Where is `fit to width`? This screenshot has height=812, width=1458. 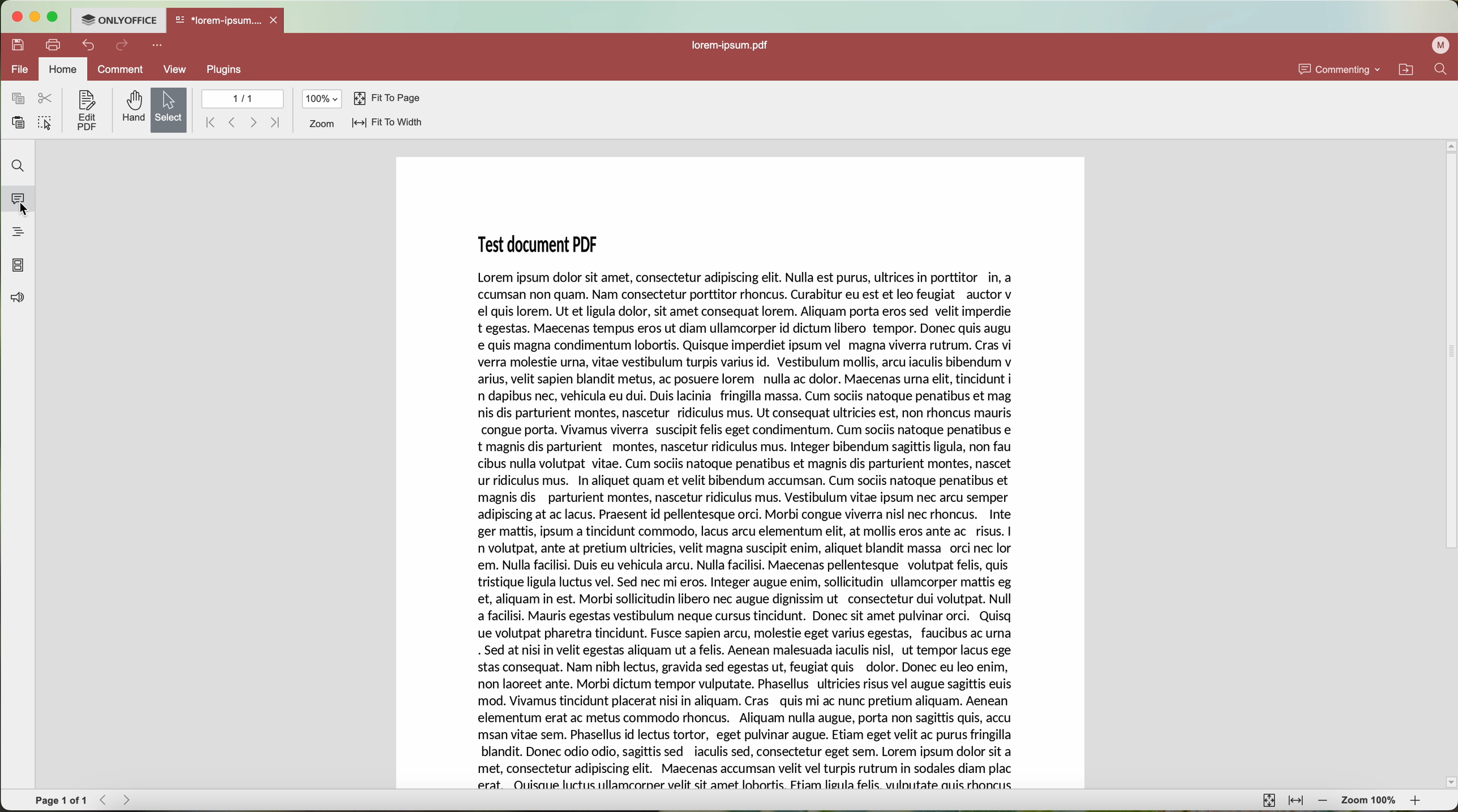 fit to width is located at coordinates (1297, 803).